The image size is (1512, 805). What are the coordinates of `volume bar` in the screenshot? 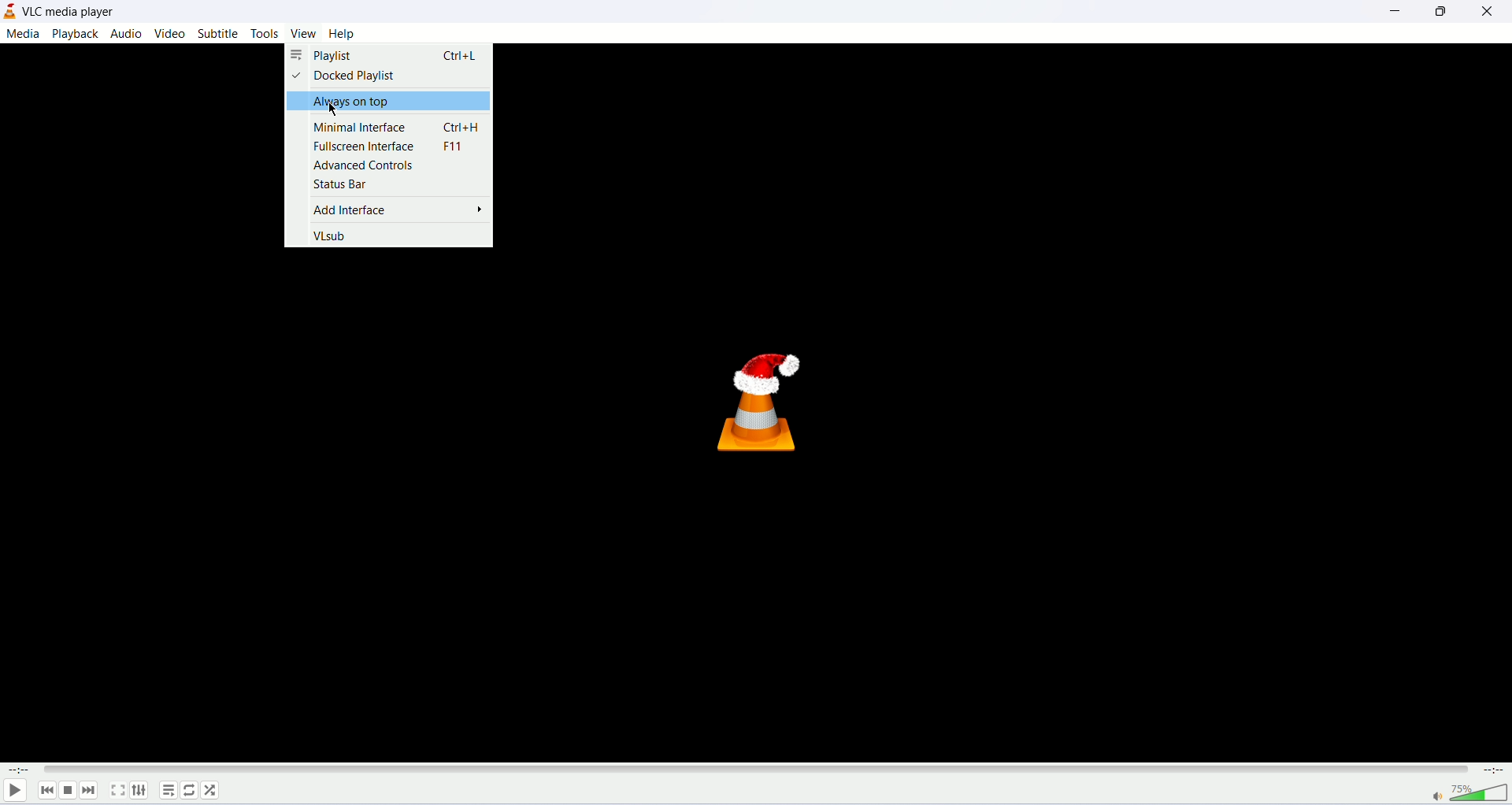 It's located at (1461, 793).